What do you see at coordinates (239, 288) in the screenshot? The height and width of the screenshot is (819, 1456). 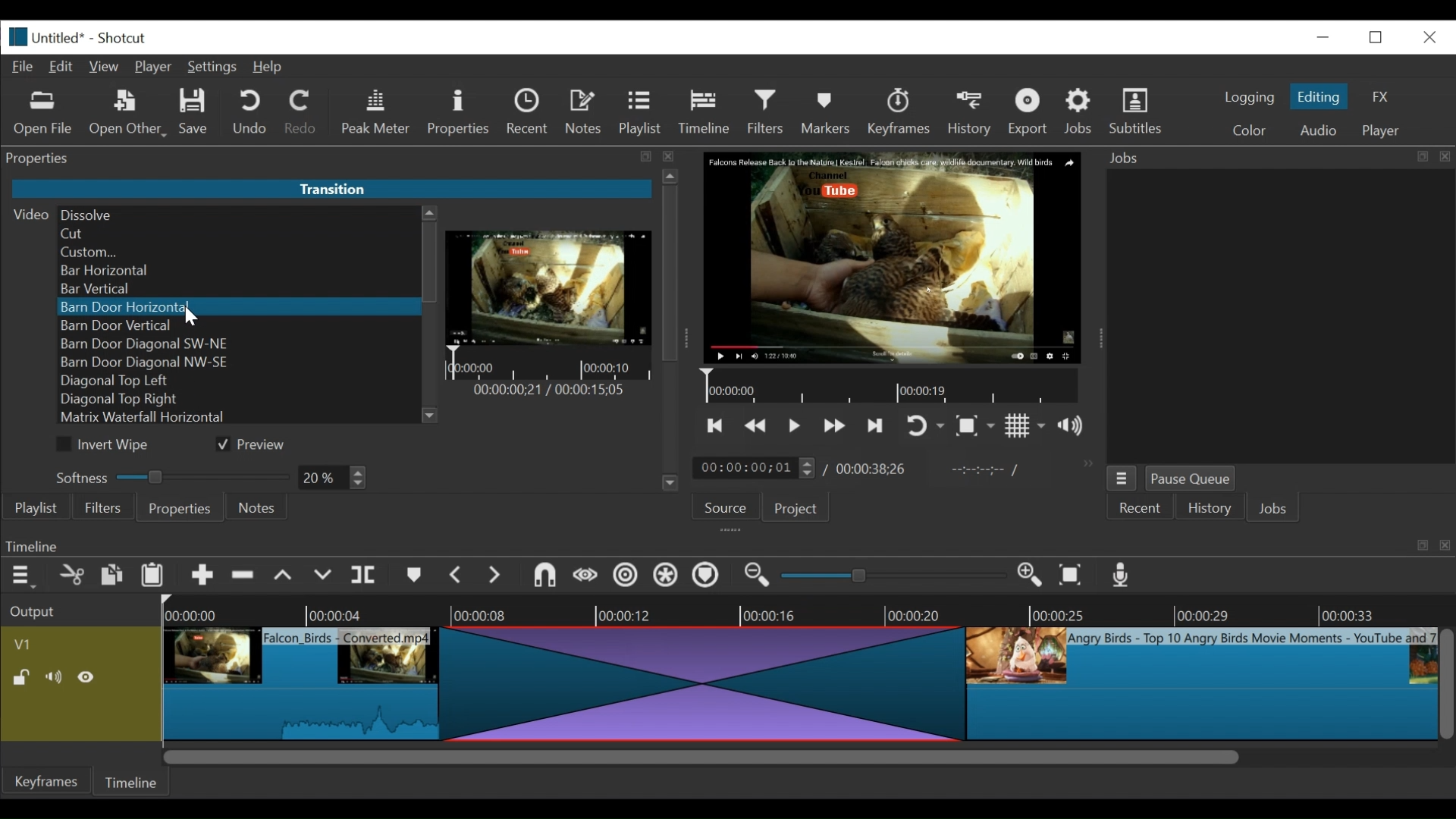 I see `Bar Vertical` at bounding box center [239, 288].